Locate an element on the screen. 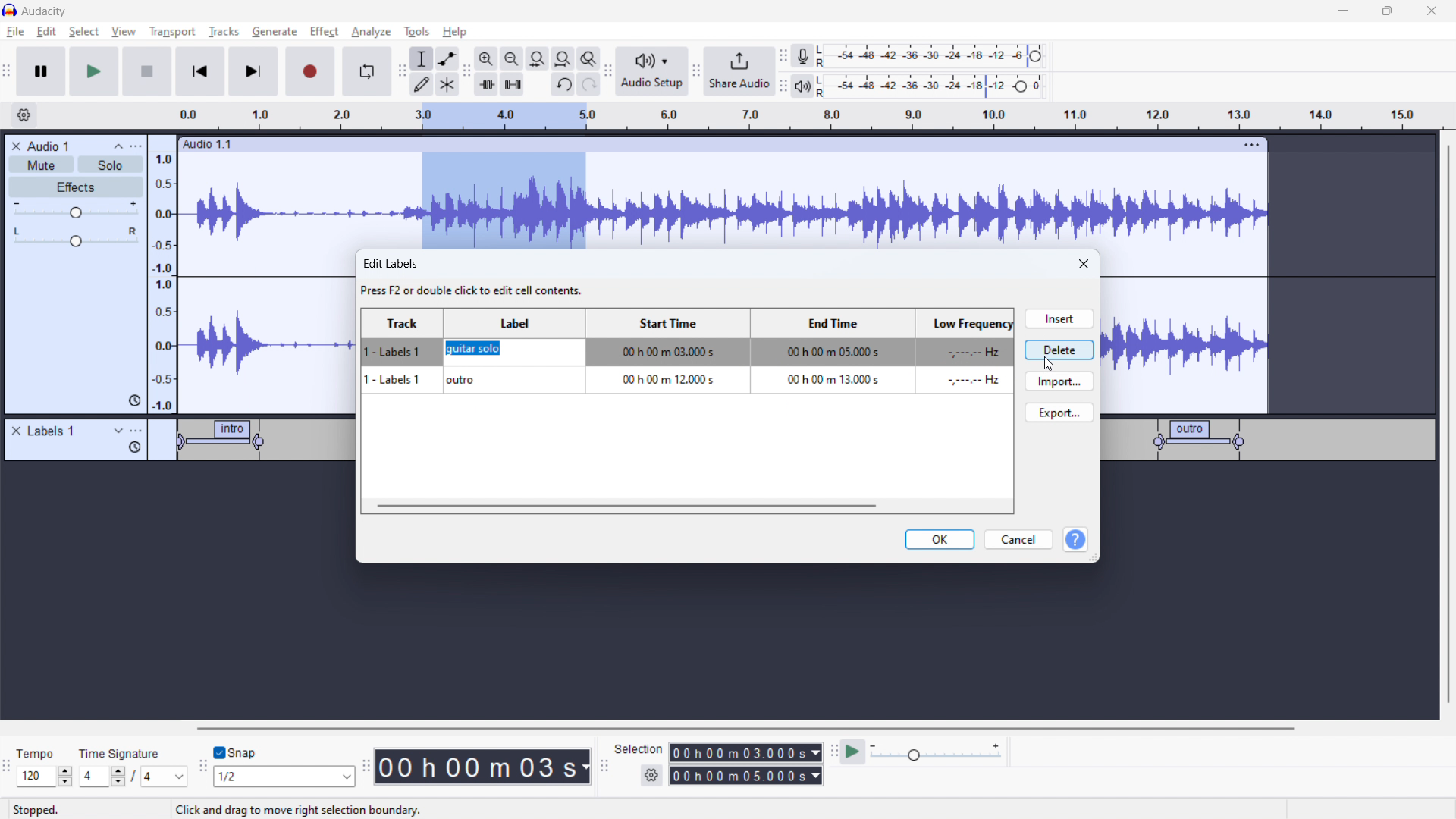 Image resolution: width=1456 pixels, height=819 pixels. view is located at coordinates (124, 31).